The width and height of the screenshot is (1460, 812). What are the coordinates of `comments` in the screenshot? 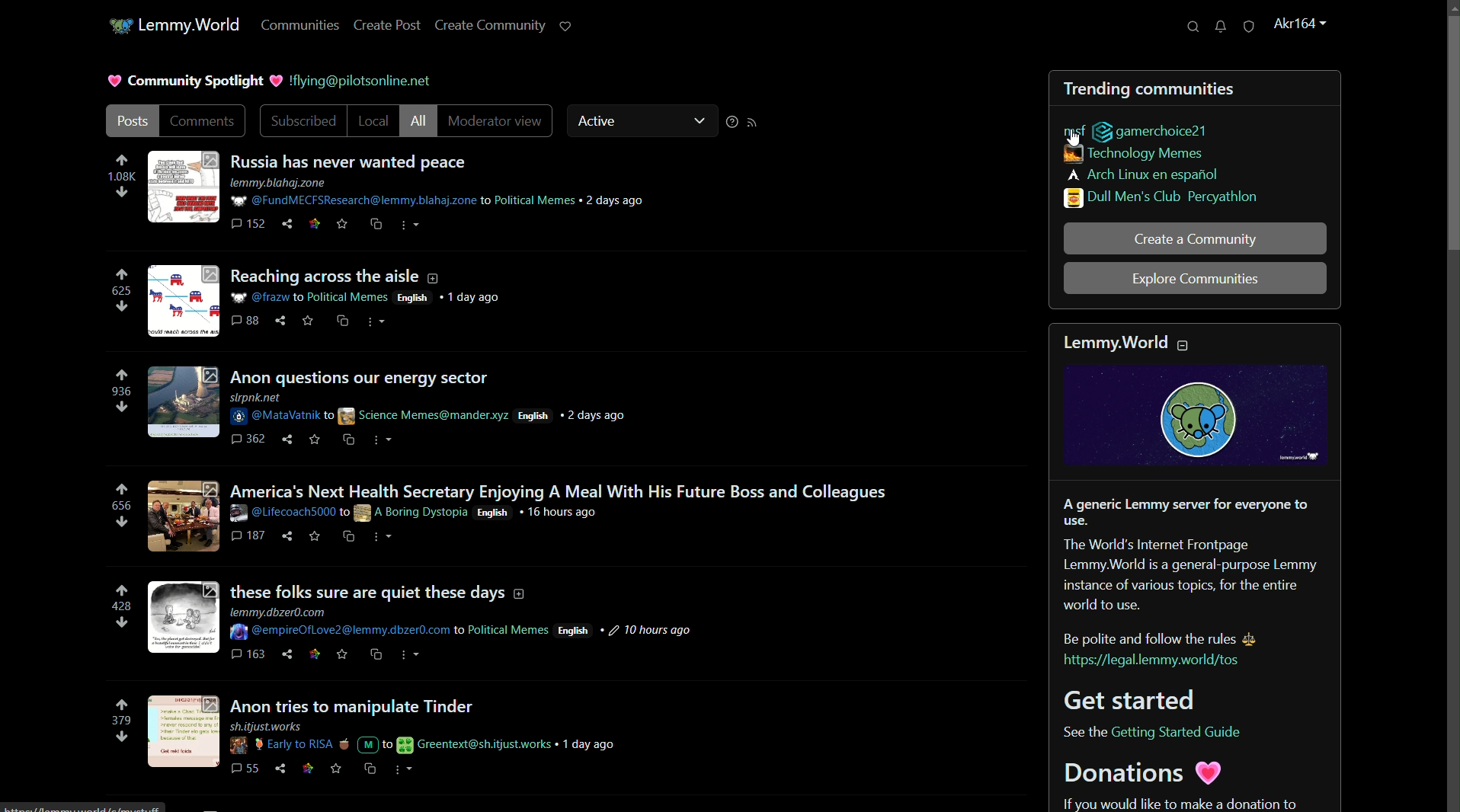 It's located at (206, 122).